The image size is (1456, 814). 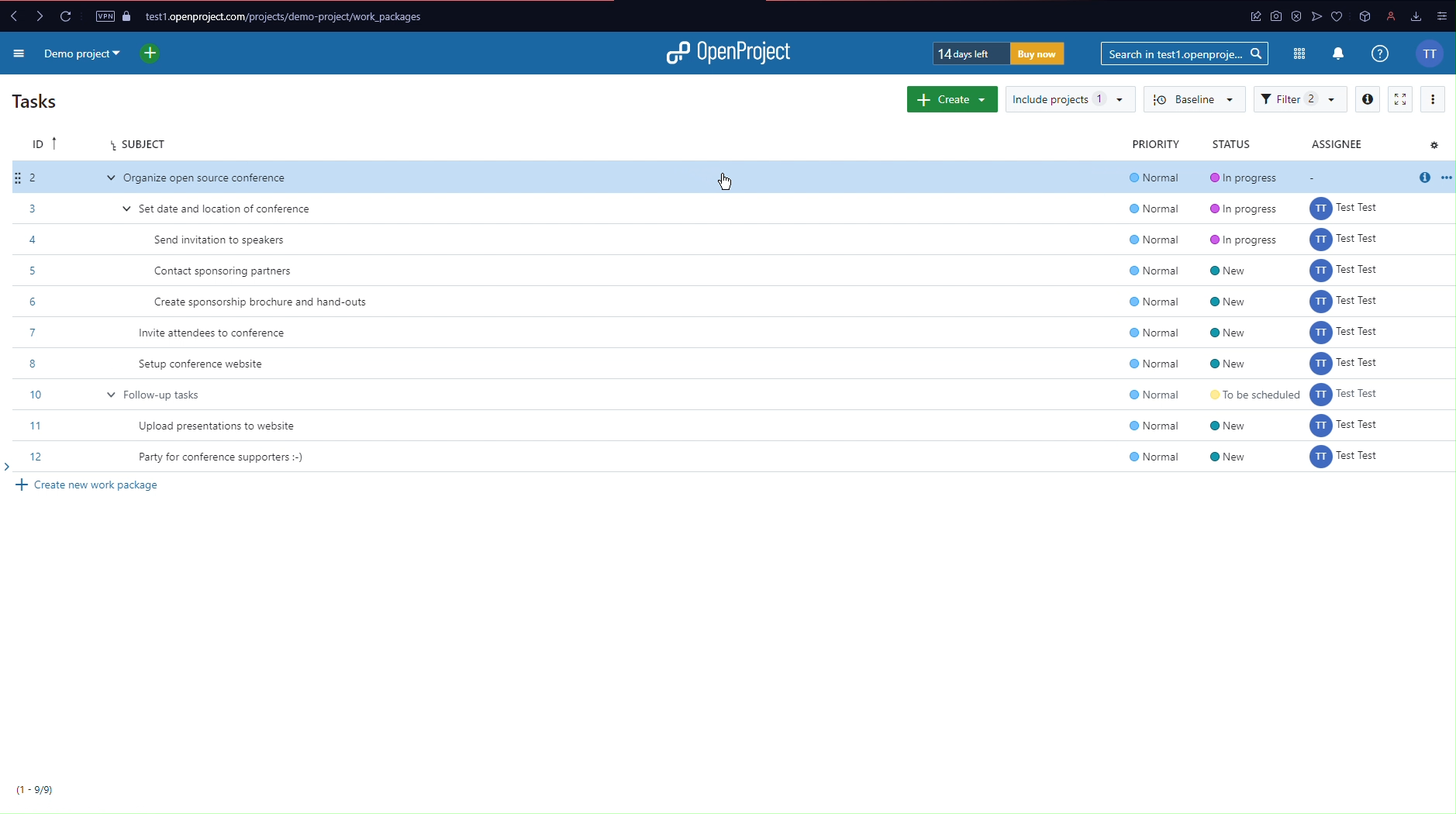 What do you see at coordinates (999, 52) in the screenshot?
I see `Trial Timer` at bounding box center [999, 52].